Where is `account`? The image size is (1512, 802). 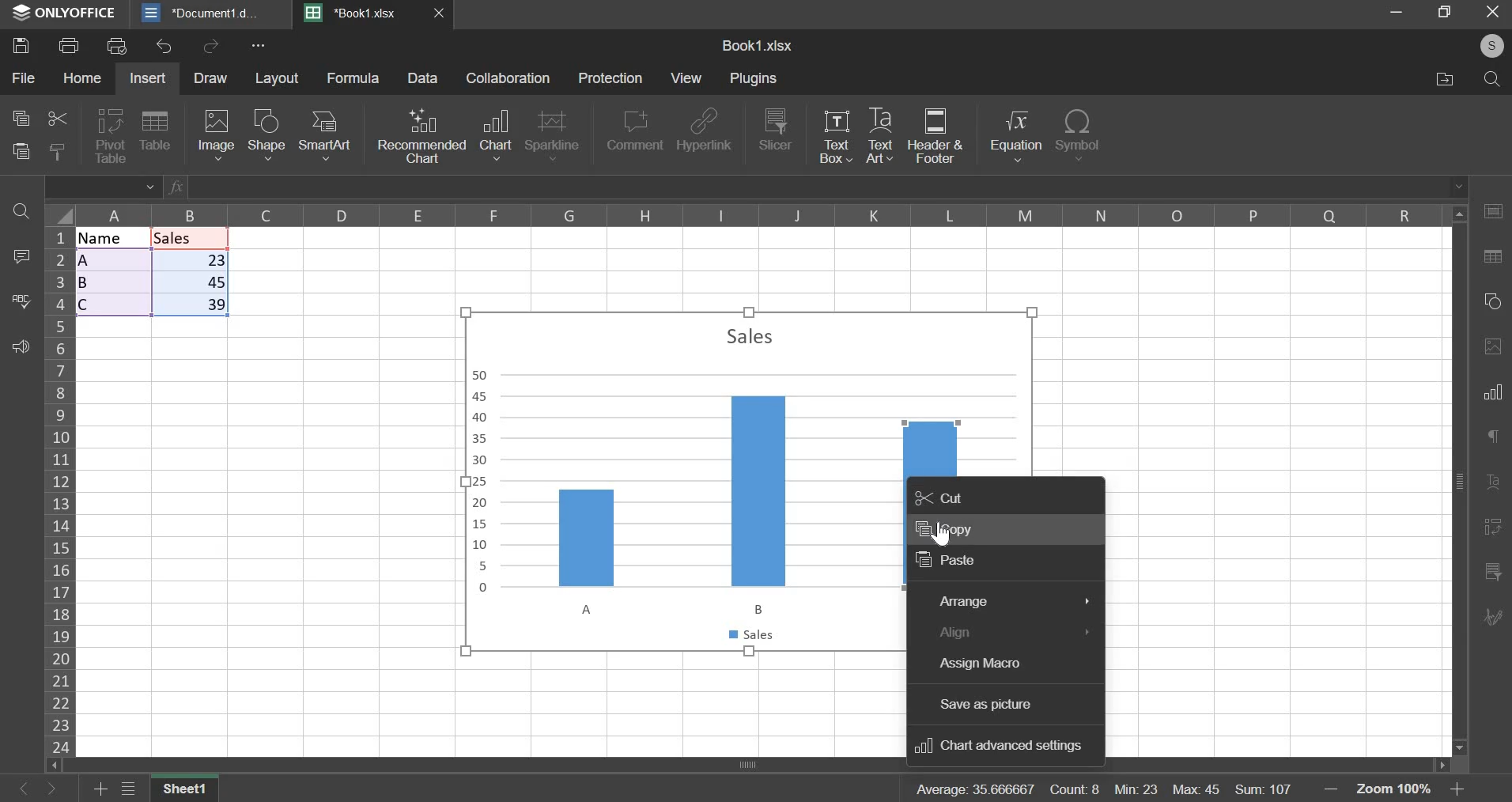 account is located at coordinates (1488, 50).